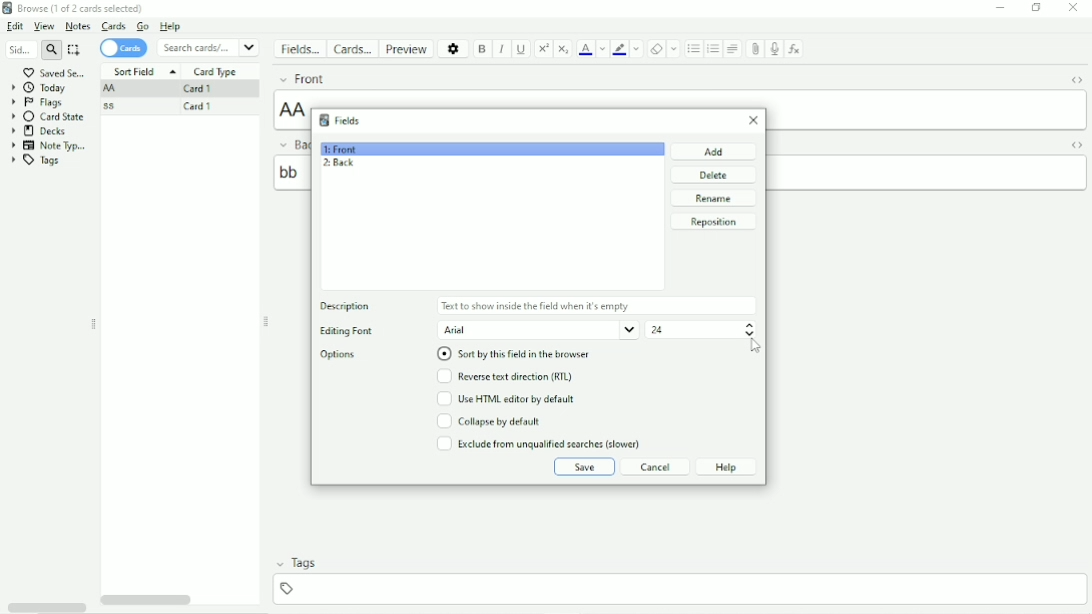 The height and width of the screenshot is (614, 1092). What do you see at coordinates (352, 121) in the screenshot?
I see `Fields` at bounding box center [352, 121].